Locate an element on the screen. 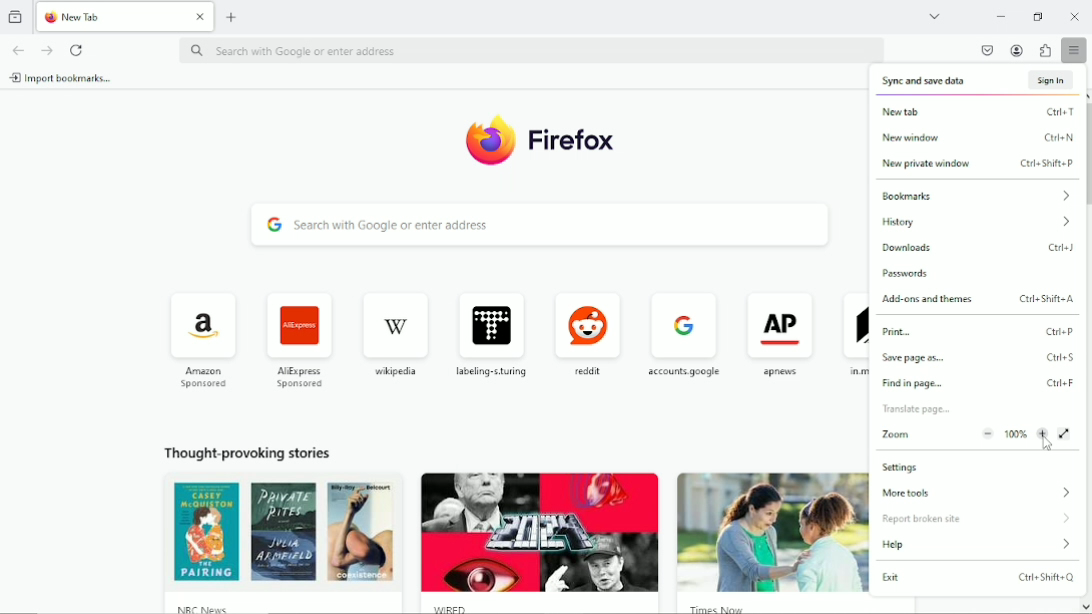 The height and width of the screenshot is (614, 1092). Zoom is located at coordinates (962, 437).